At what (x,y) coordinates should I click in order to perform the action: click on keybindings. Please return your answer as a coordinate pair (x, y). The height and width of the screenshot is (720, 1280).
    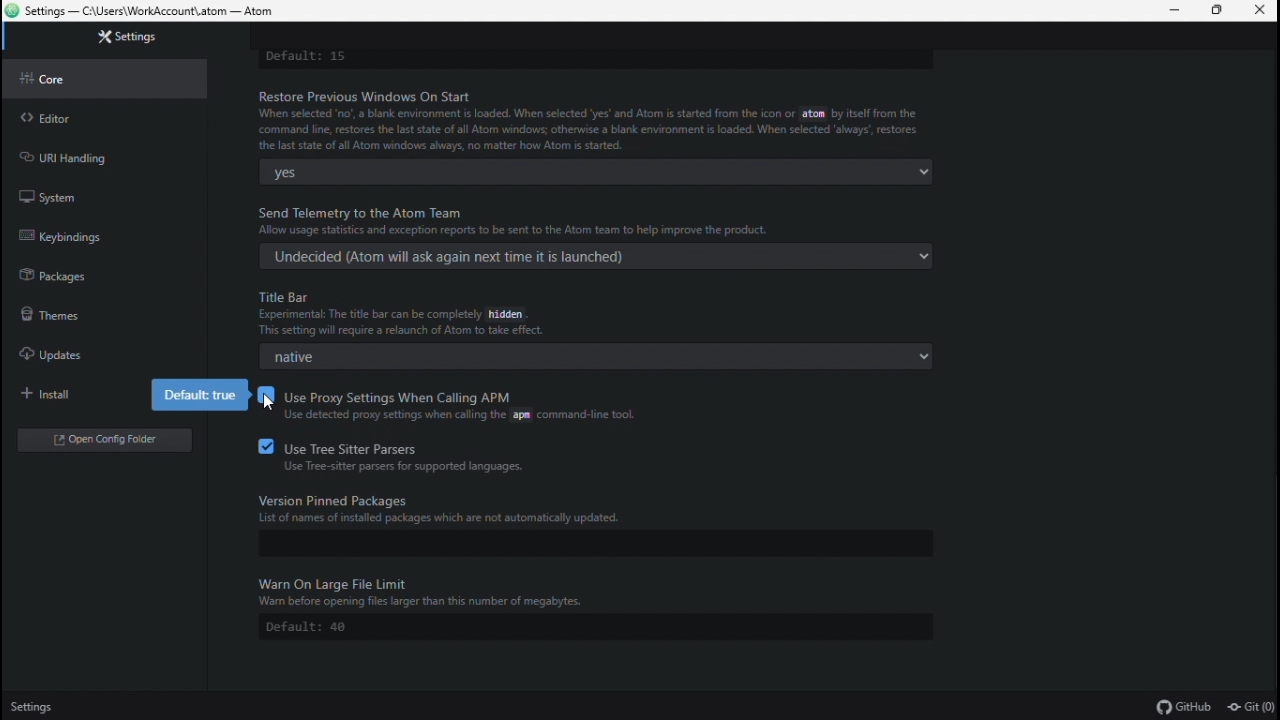
    Looking at the image, I should click on (84, 232).